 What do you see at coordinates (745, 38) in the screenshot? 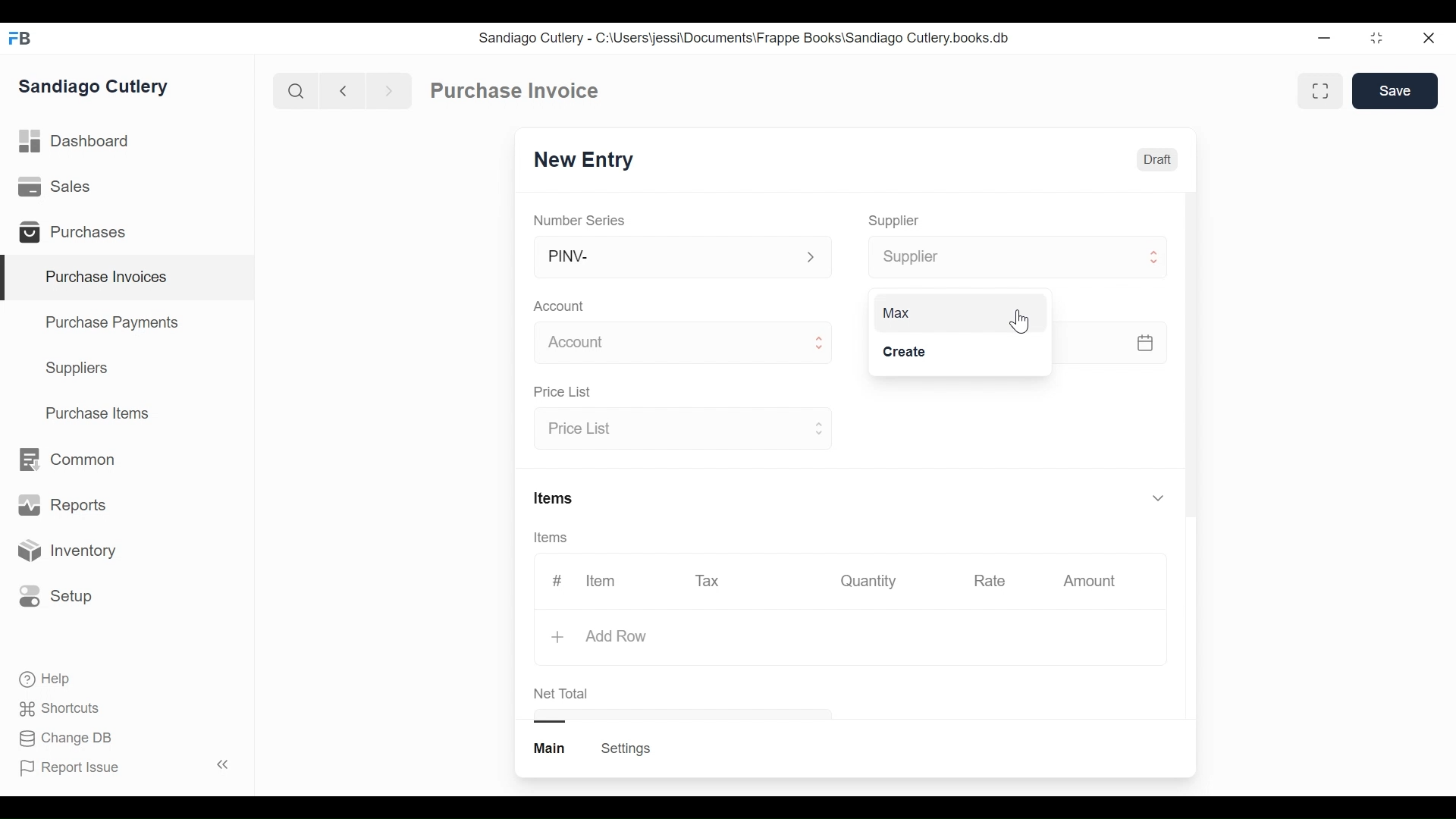
I see `Sandiago Cutlery - C:\Users\jessi\Documents\Frappe Books\Sandiago Cutlery.books.db` at bounding box center [745, 38].